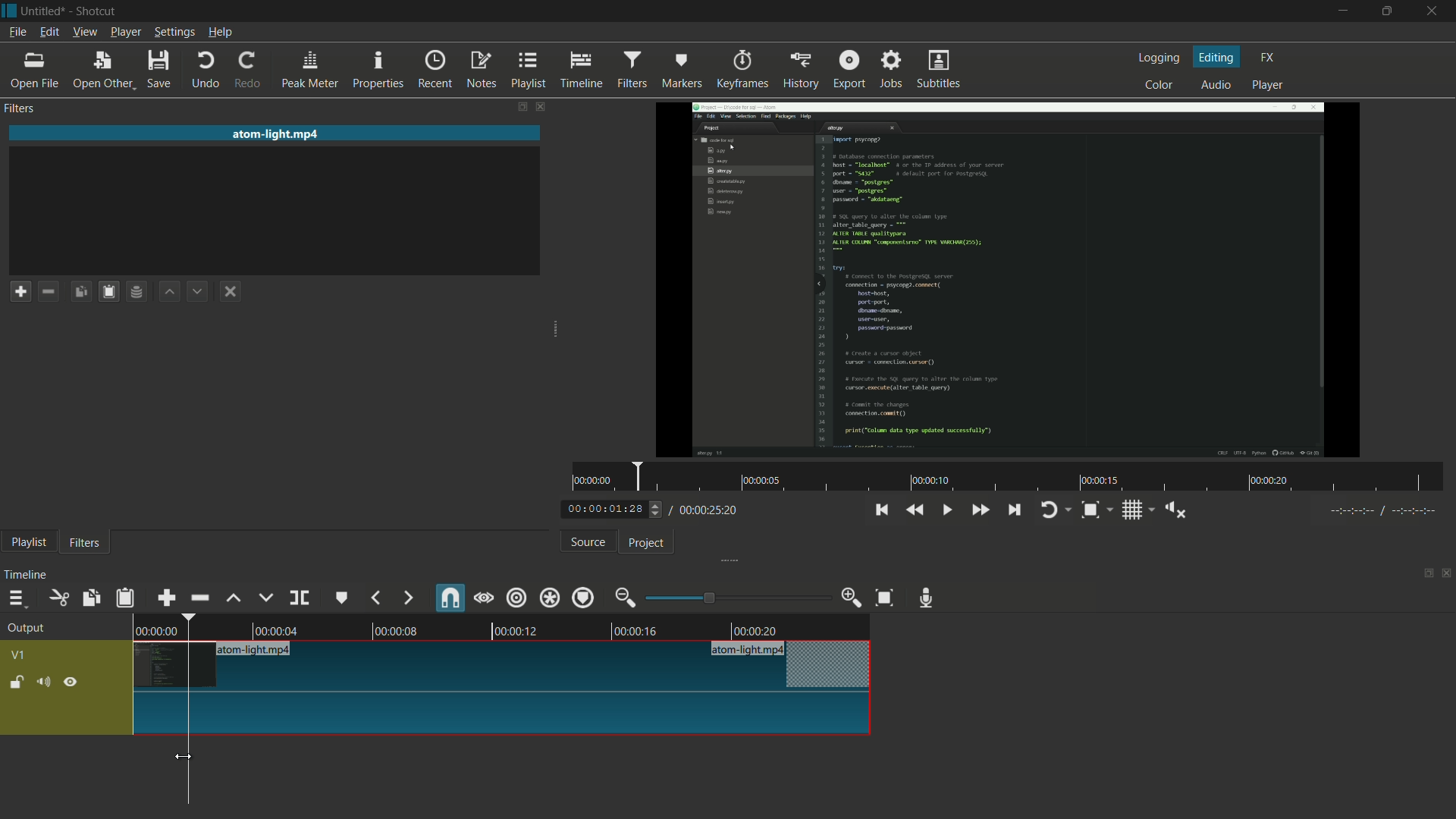  Describe the element at coordinates (199, 597) in the screenshot. I see `ripple delete` at that location.